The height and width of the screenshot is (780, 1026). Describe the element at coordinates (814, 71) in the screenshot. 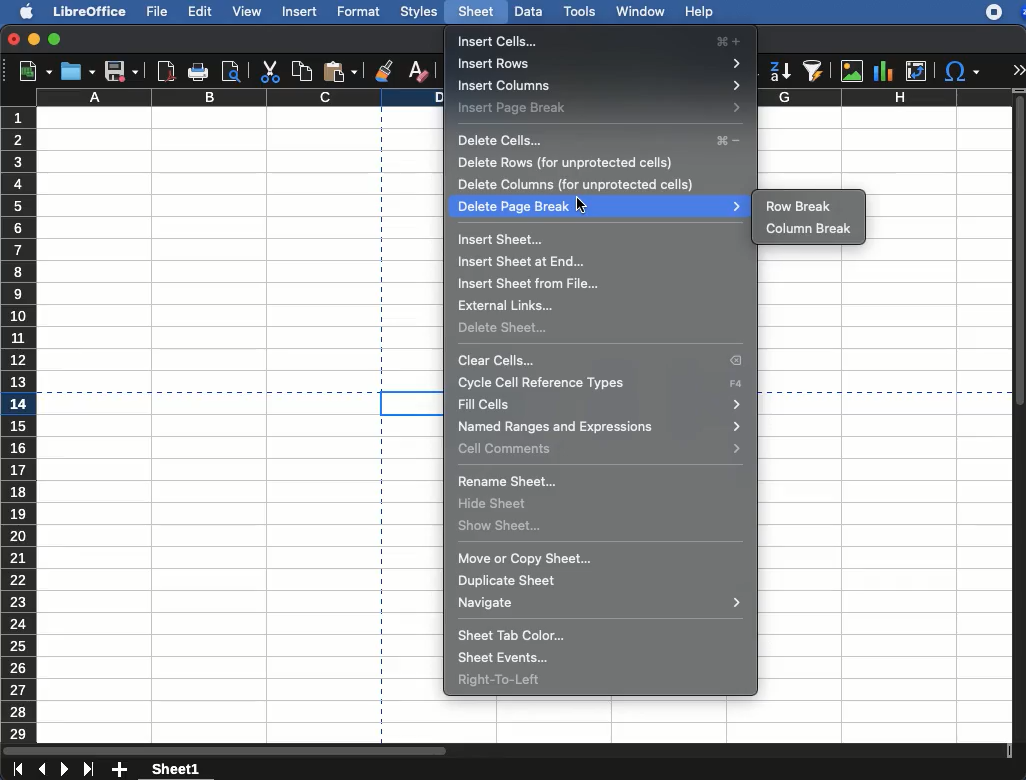

I see `autofilter` at that location.